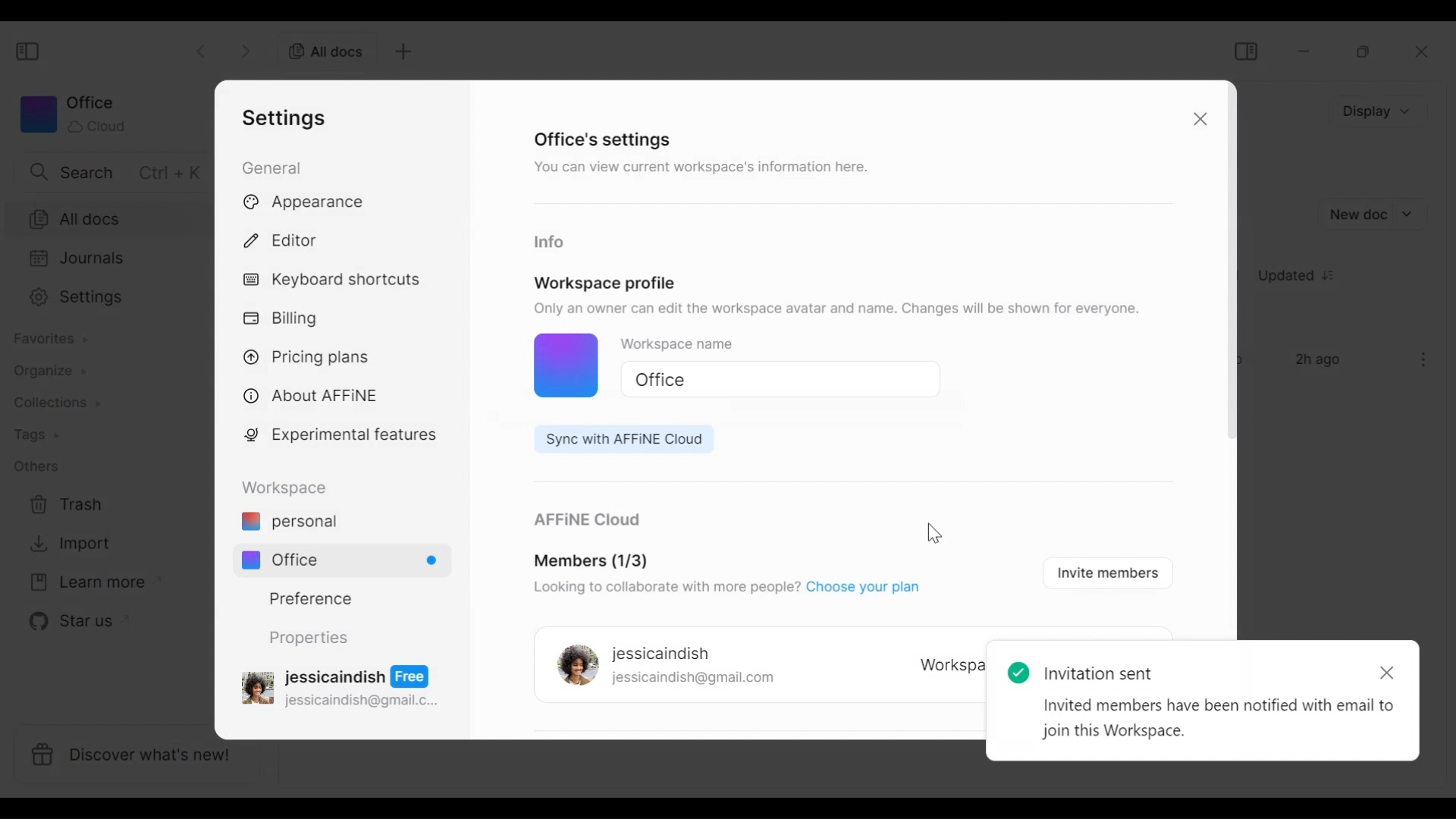 The width and height of the screenshot is (1456, 819). I want to click on Profile, so click(573, 667).